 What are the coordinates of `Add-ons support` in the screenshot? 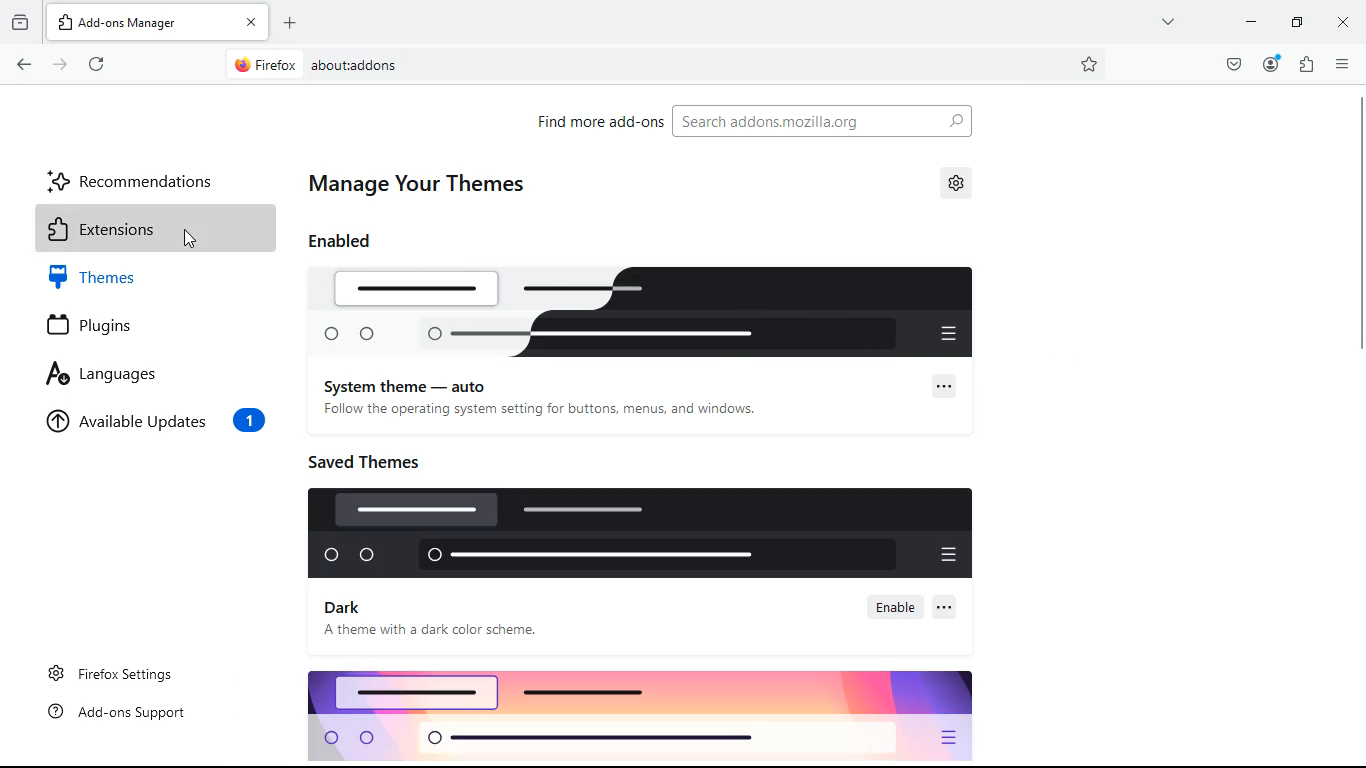 It's located at (126, 714).